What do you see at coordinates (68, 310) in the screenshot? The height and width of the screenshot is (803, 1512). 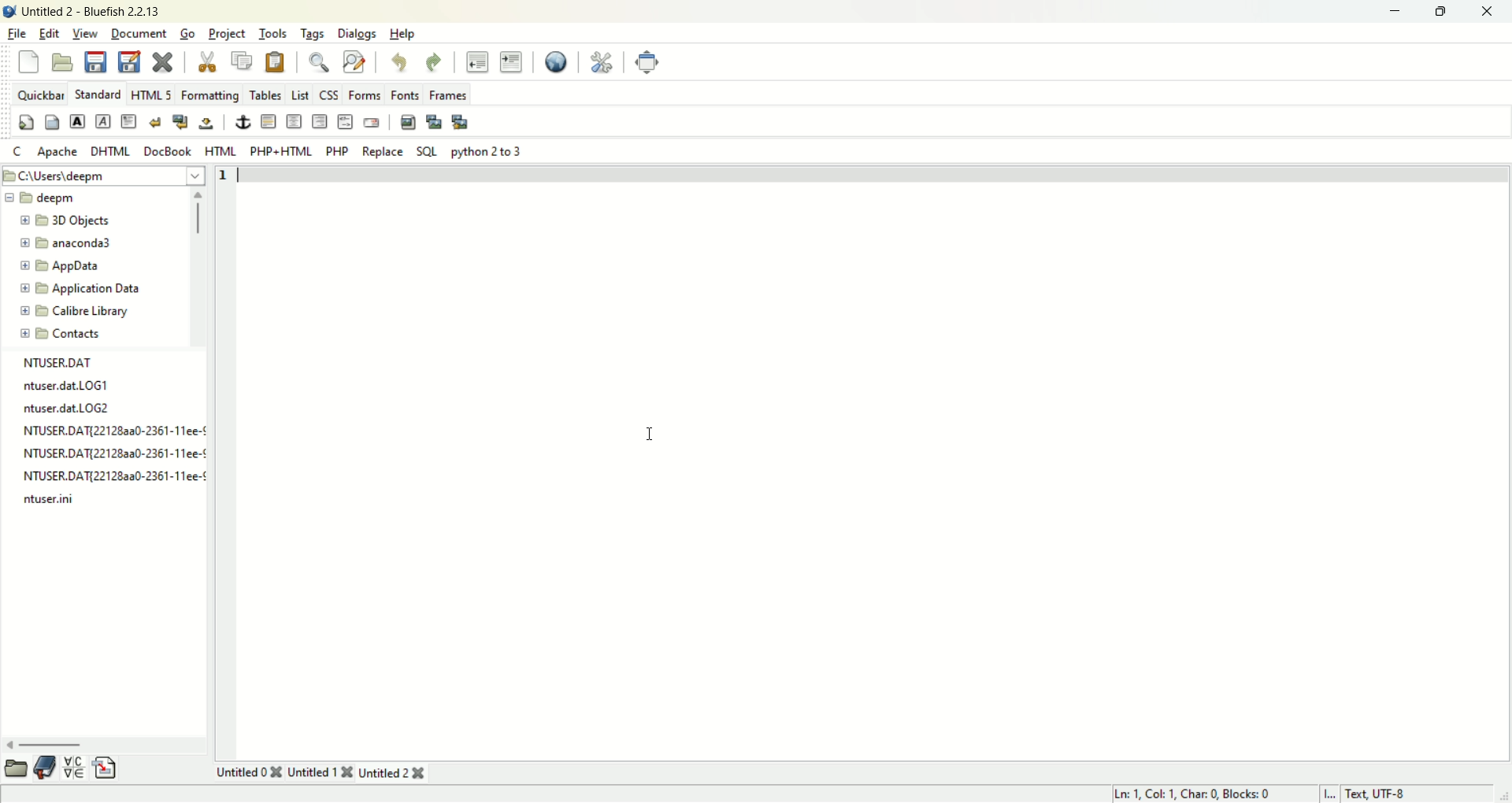 I see `calibre` at bounding box center [68, 310].